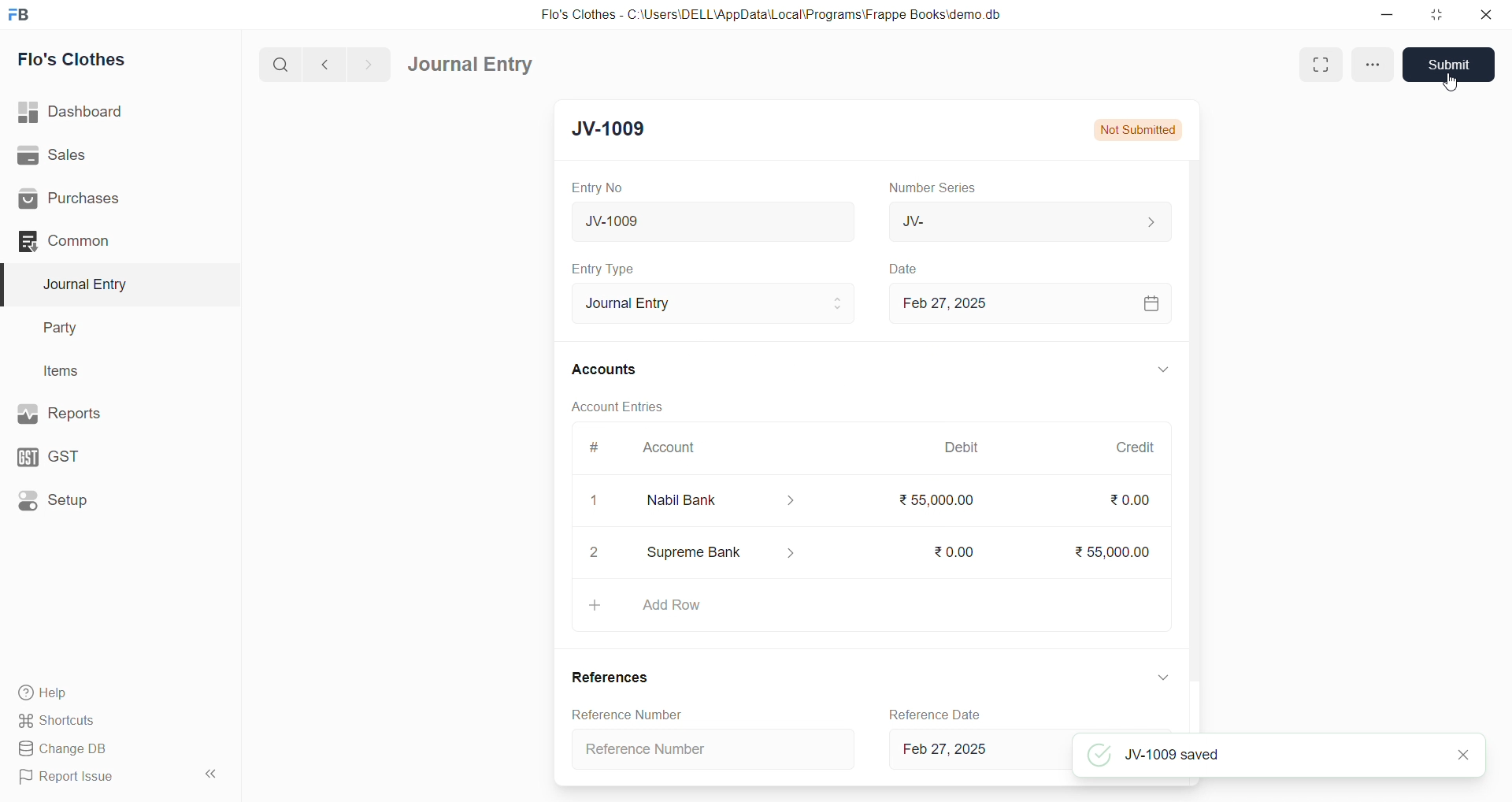 The height and width of the screenshot is (802, 1512). I want to click on JV-1009, so click(713, 221).